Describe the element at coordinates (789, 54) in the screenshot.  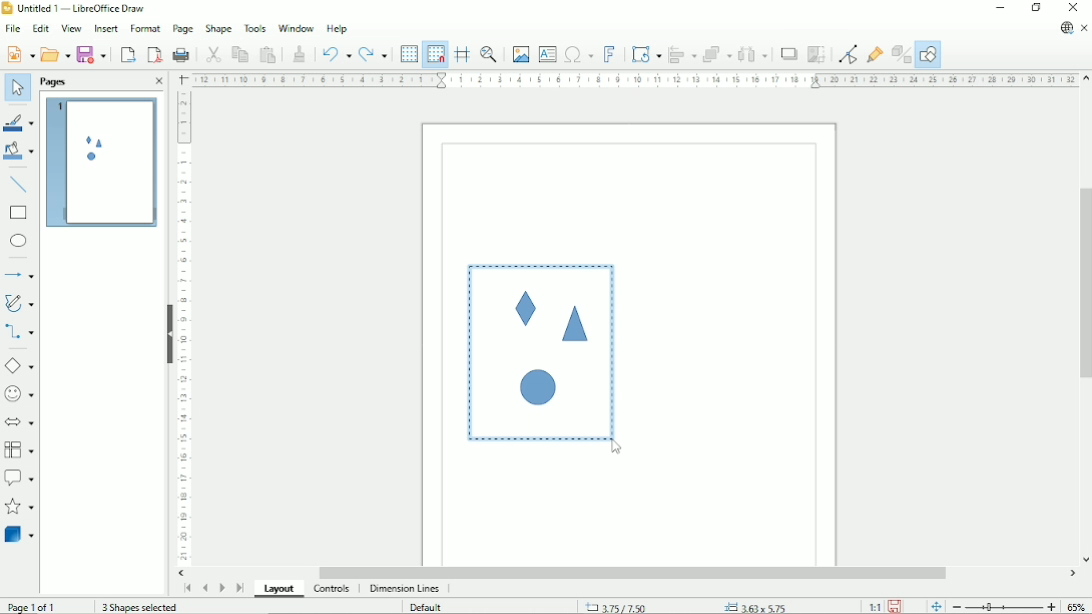
I see `Shadow` at that location.